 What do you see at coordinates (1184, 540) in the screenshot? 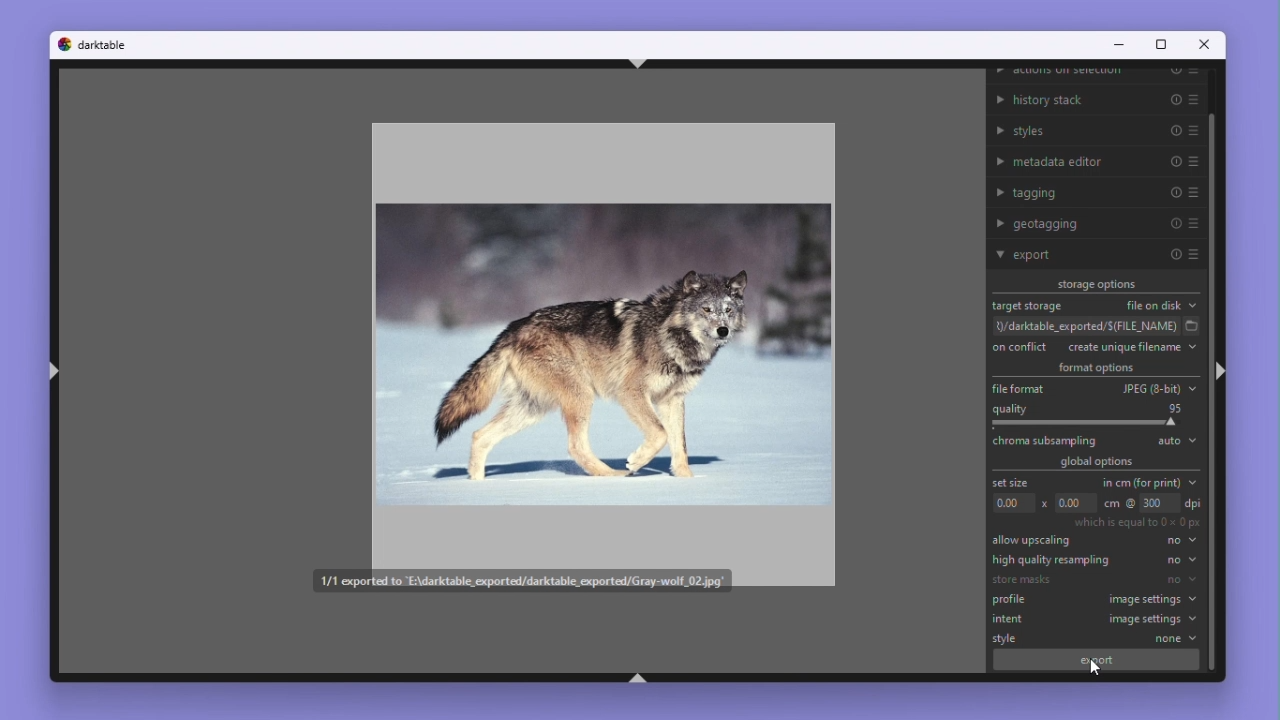
I see `no` at bounding box center [1184, 540].